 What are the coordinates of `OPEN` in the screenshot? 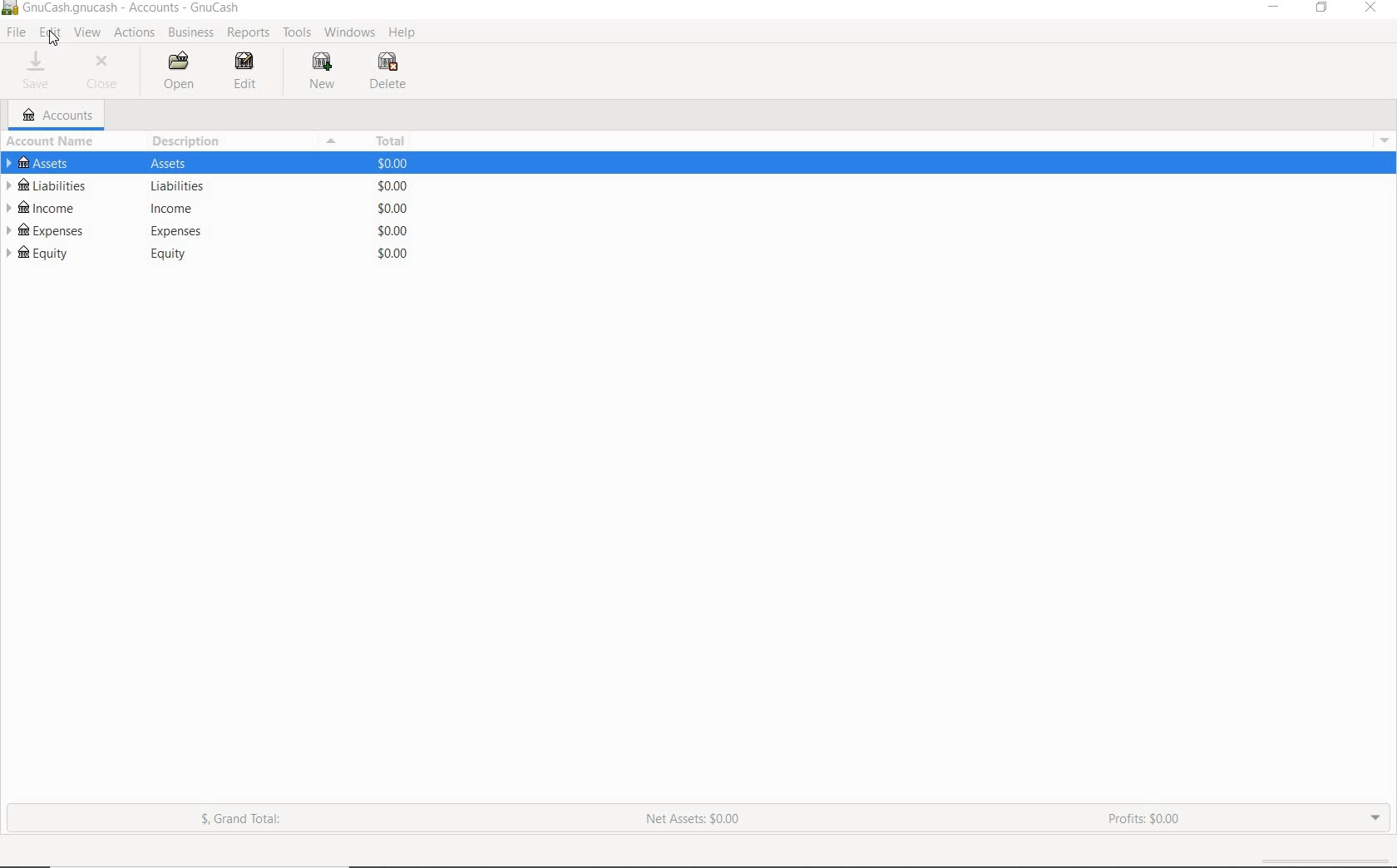 It's located at (185, 71).